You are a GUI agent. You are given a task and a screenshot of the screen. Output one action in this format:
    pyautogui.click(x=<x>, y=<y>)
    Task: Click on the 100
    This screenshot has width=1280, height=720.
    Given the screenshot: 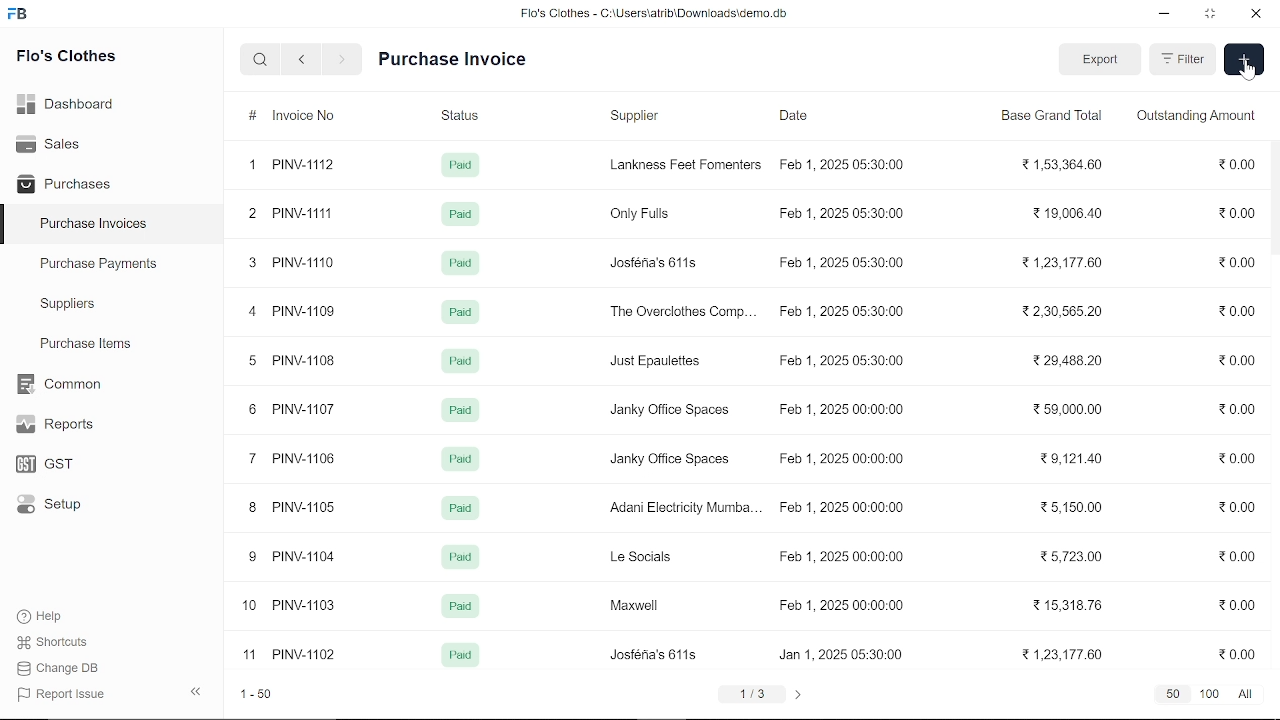 What is the action you would take?
    pyautogui.click(x=1207, y=694)
    